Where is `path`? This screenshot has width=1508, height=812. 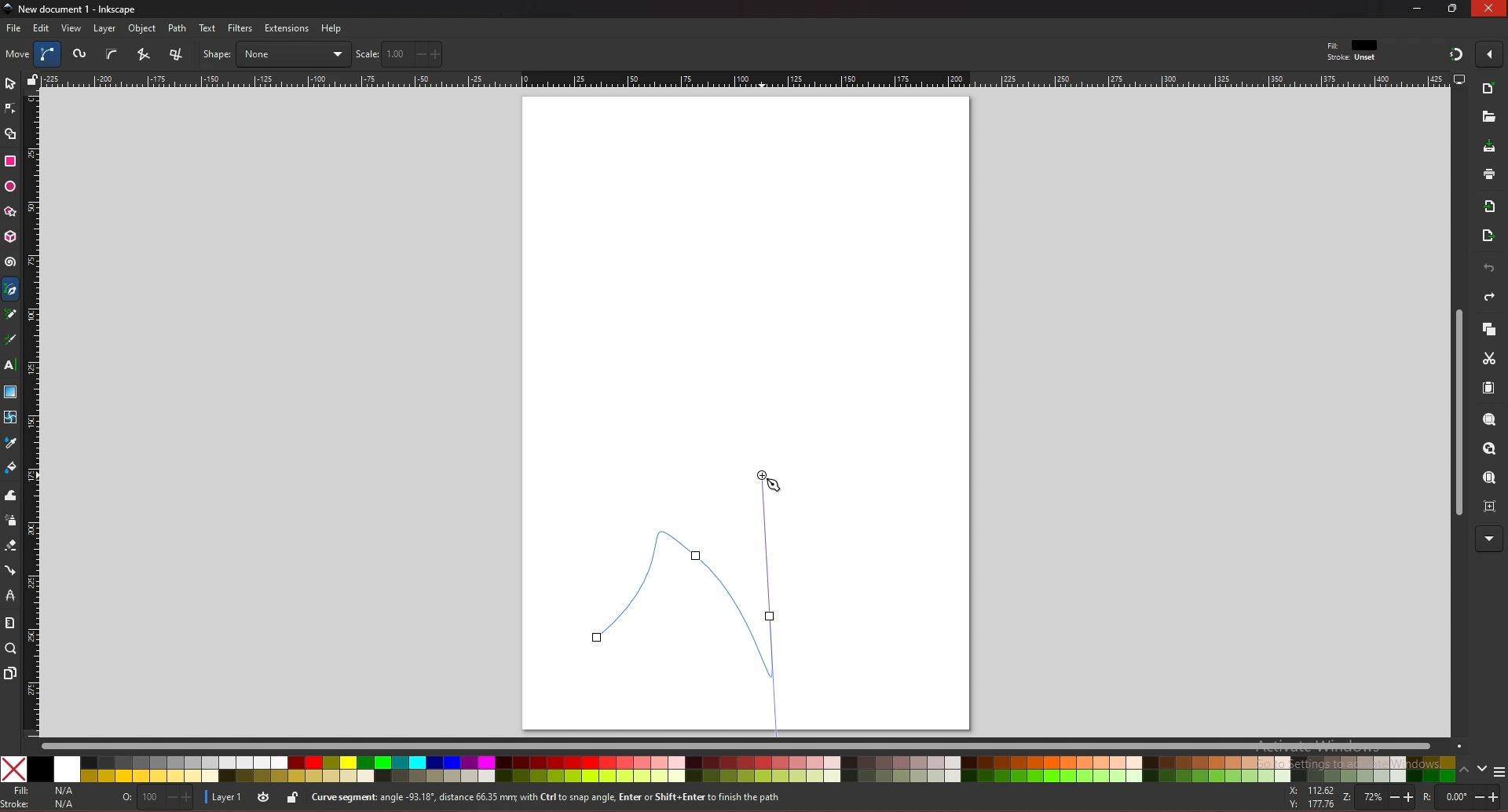 path is located at coordinates (178, 28).